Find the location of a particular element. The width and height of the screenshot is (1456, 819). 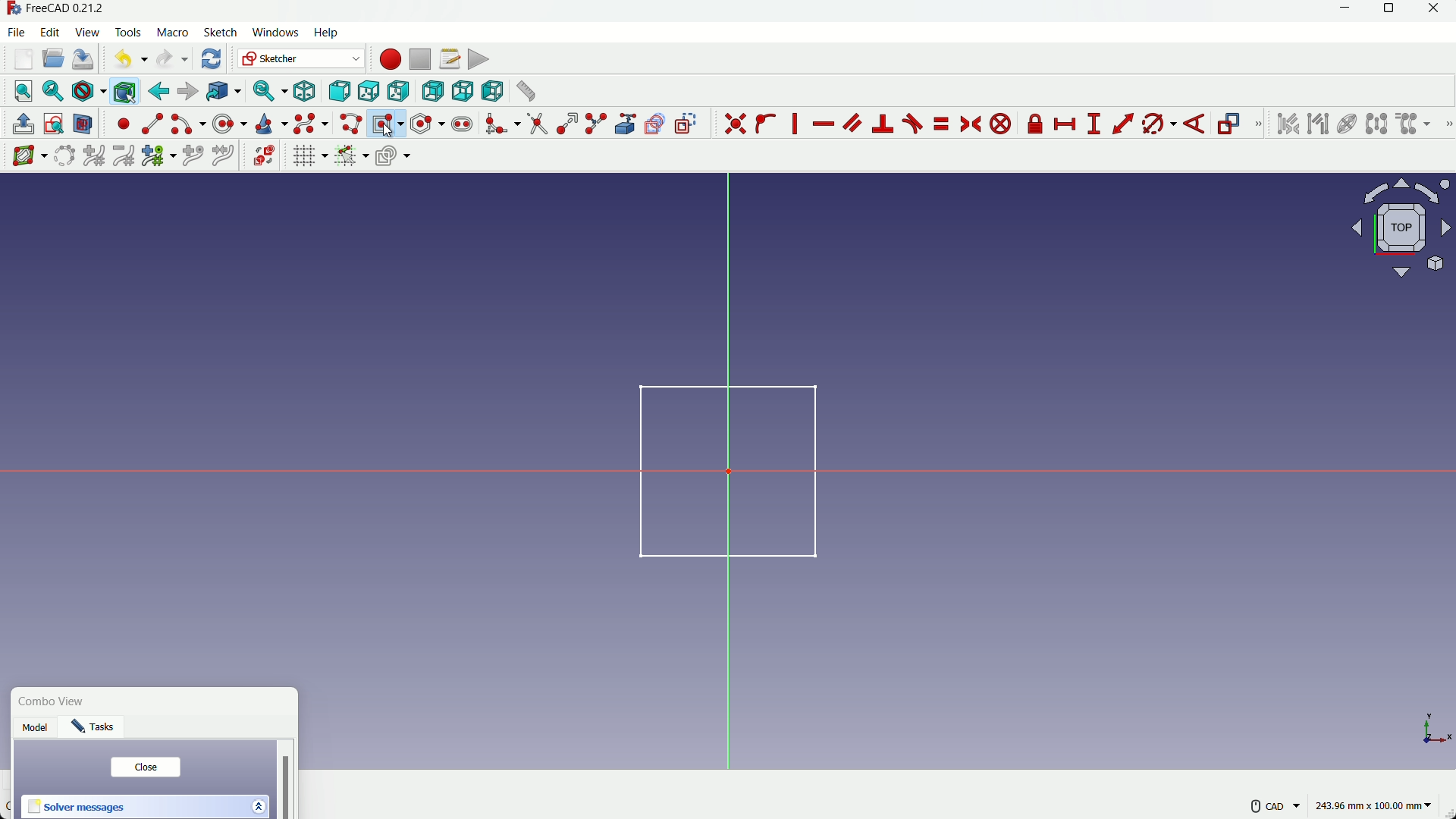

constraint perpendicular is located at coordinates (883, 124).